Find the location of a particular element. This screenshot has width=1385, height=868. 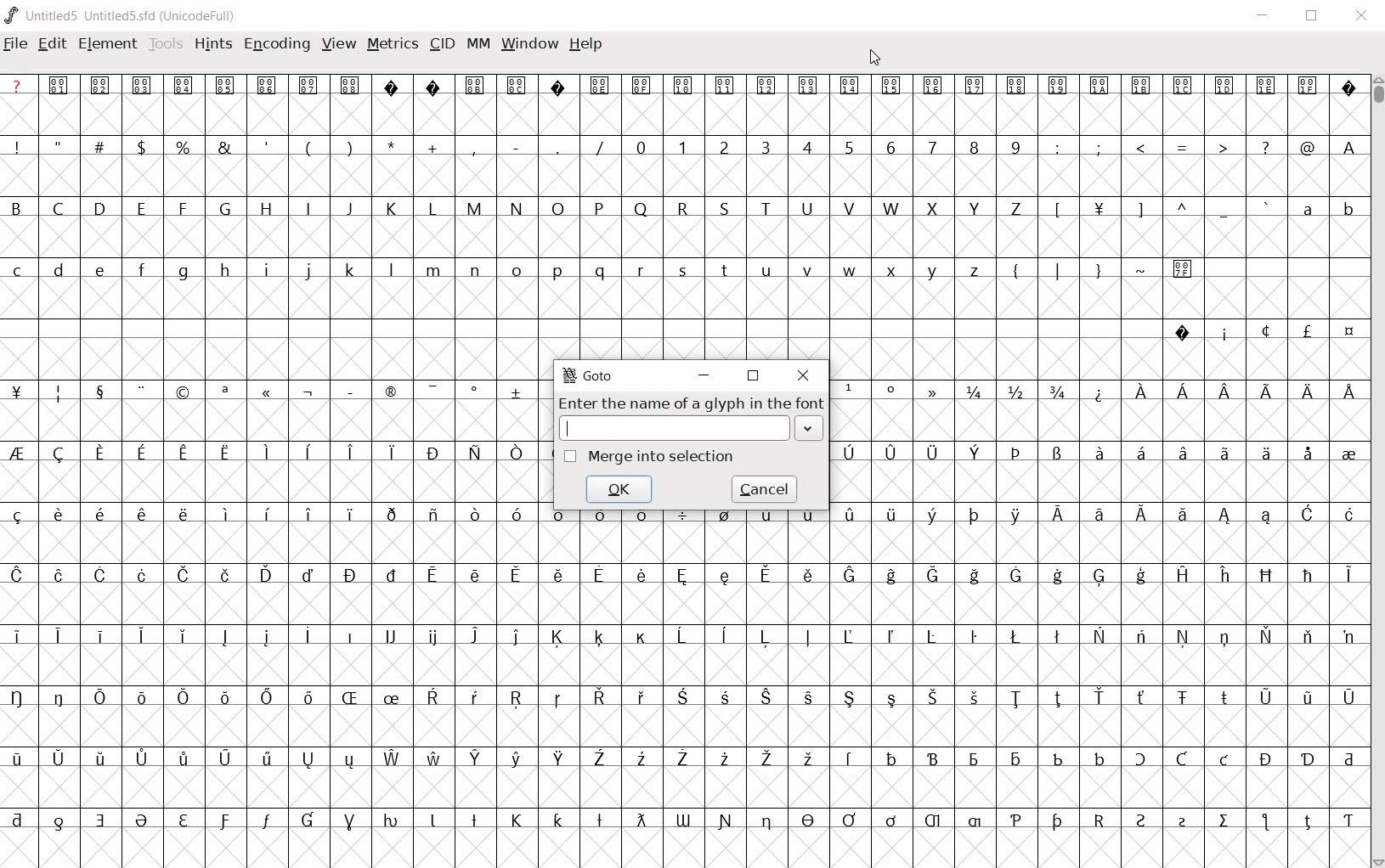

Symbol is located at coordinates (975, 759).